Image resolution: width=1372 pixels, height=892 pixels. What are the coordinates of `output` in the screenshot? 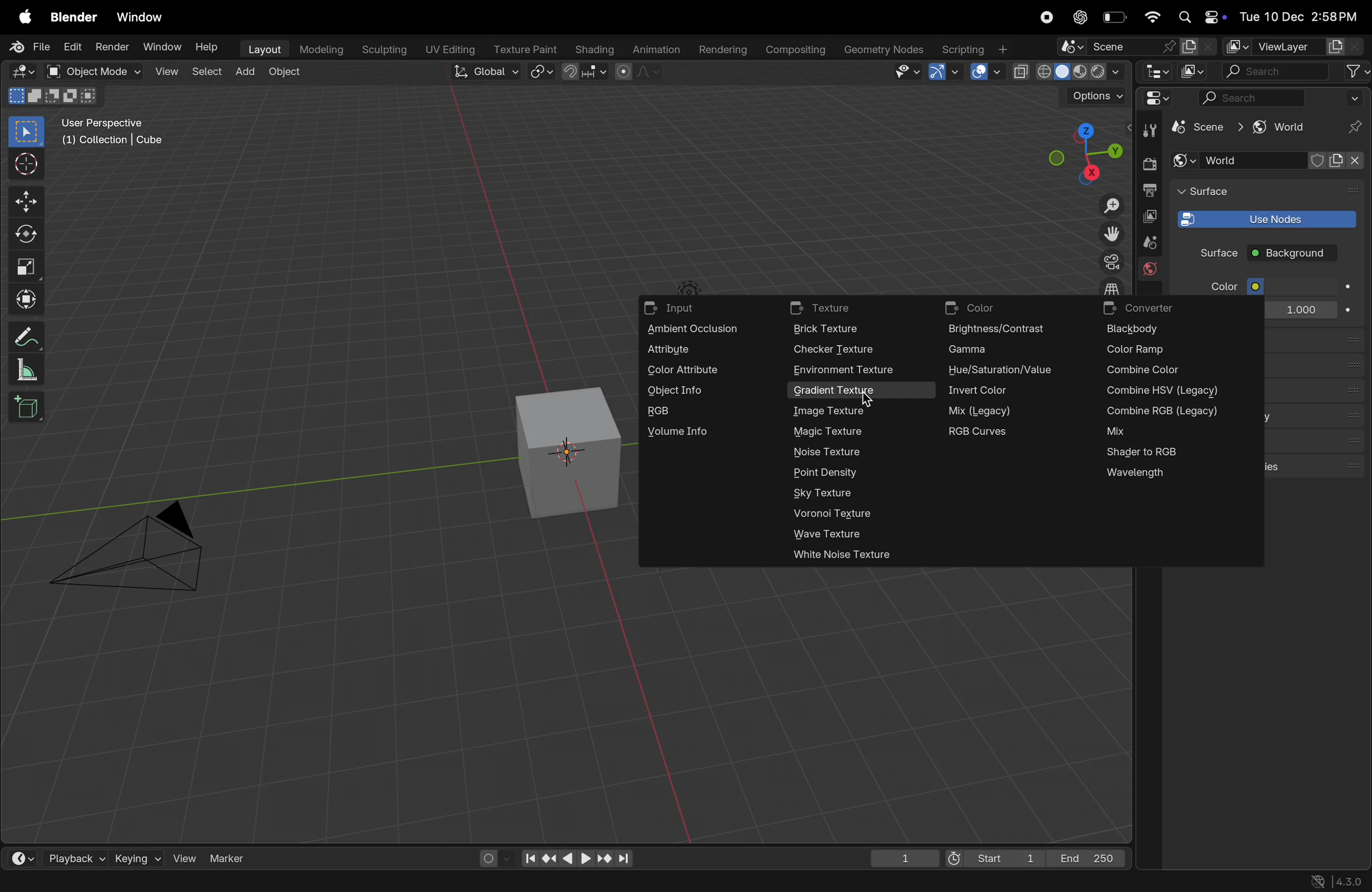 It's located at (1149, 190).